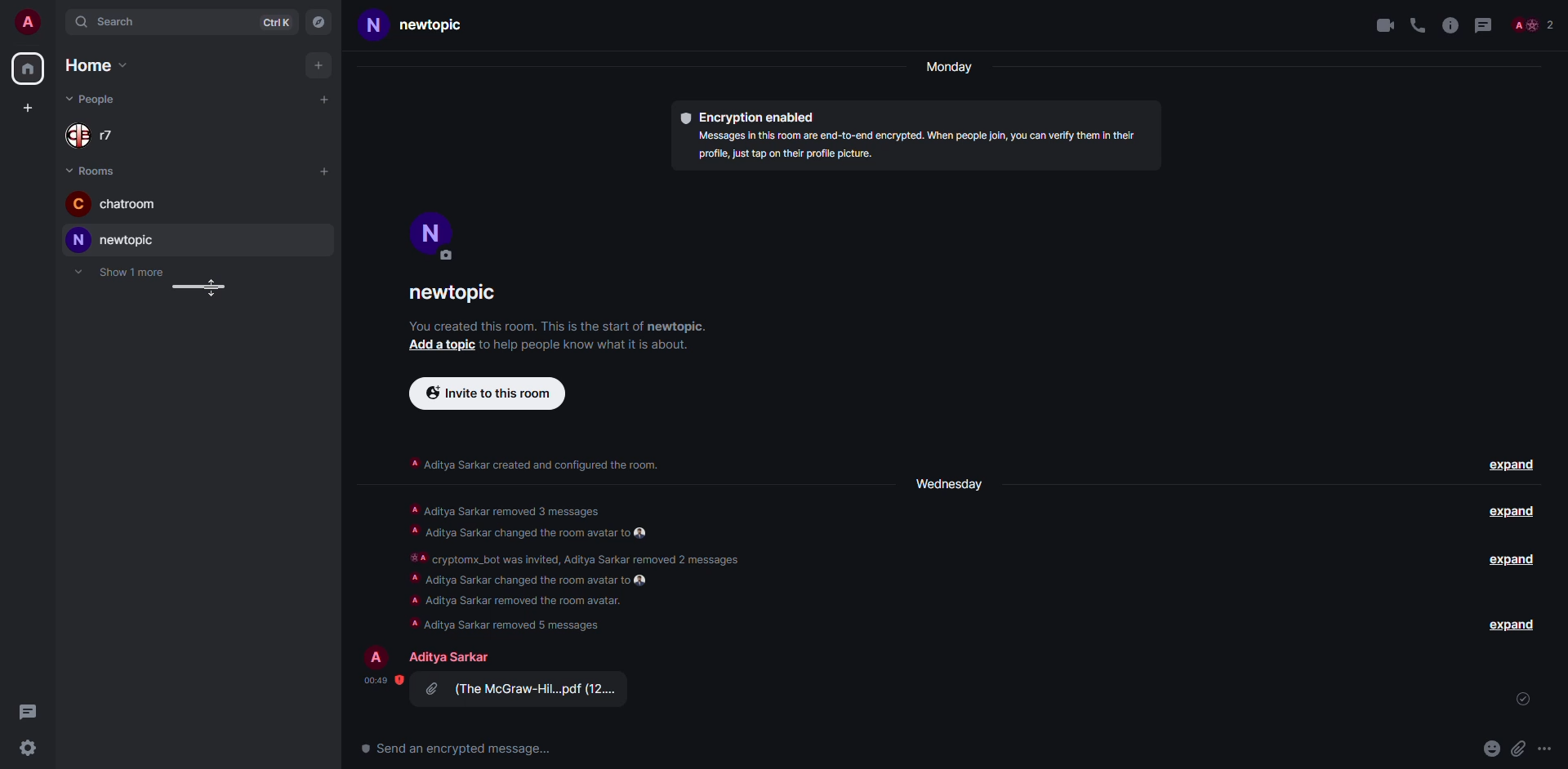 The width and height of the screenshot is (1568, 769). What do you see at coordinates (1382, 24) in the screenshot?
I see `video` at bounding box center [1382, 24].